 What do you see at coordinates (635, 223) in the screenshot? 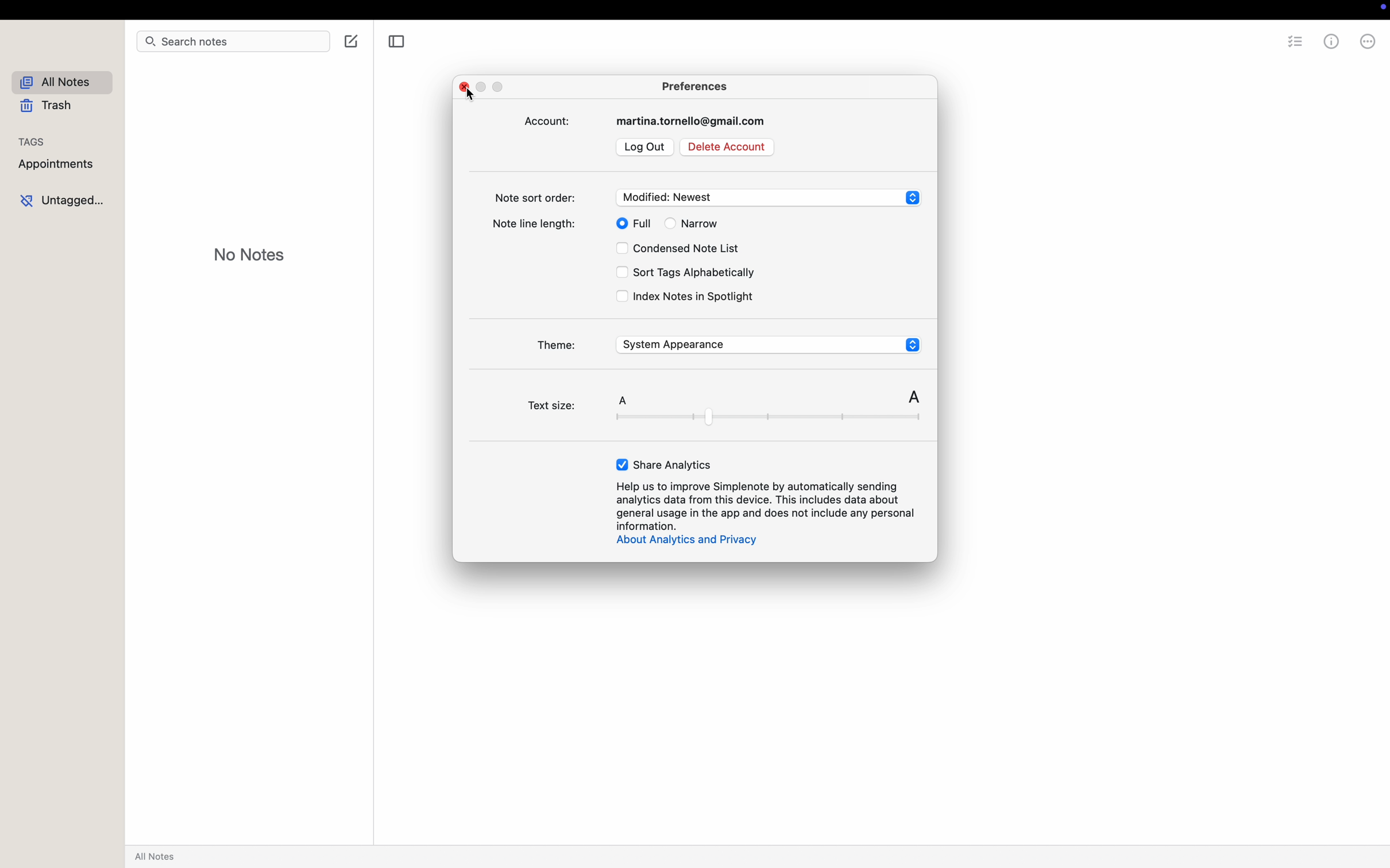
I see `full` at bounding box center [635, 223].